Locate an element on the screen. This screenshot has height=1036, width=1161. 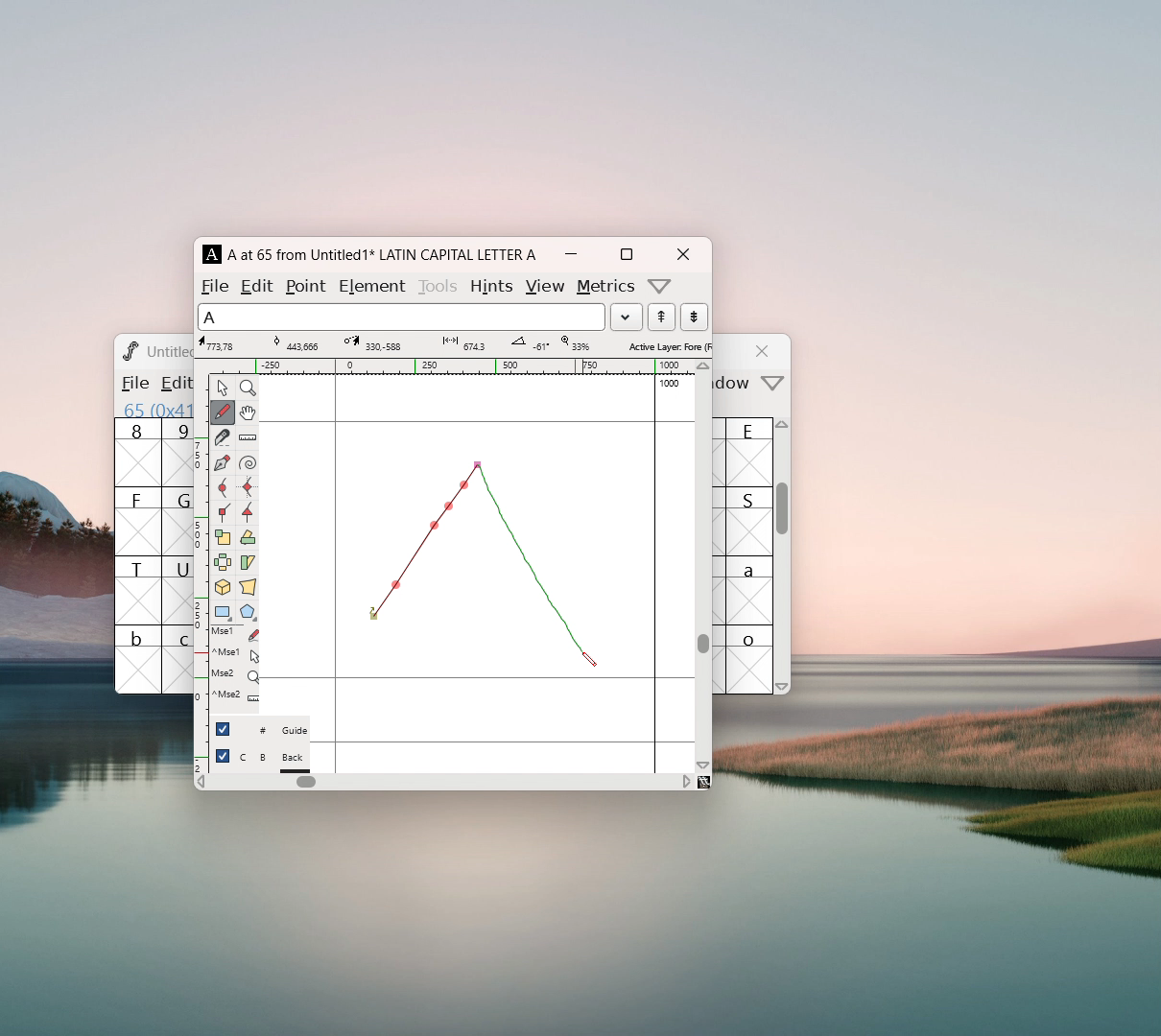
pointer is located at coordinates (223, 388).